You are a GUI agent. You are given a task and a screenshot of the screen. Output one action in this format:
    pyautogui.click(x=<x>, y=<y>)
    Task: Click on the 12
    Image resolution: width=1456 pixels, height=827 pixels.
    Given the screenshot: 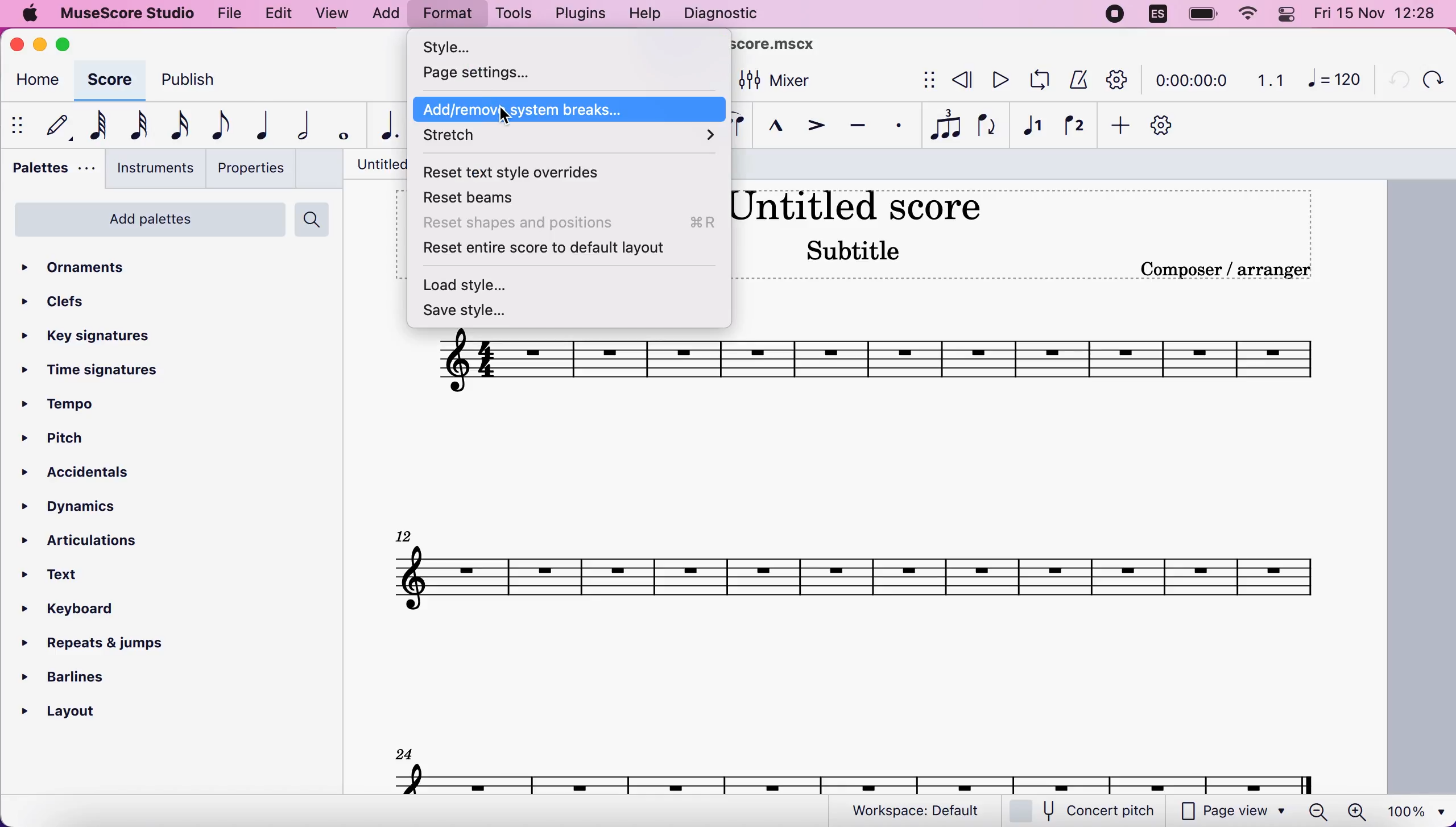 What is the action you would take?
    pyautogui.click(x=406, y=534)
    